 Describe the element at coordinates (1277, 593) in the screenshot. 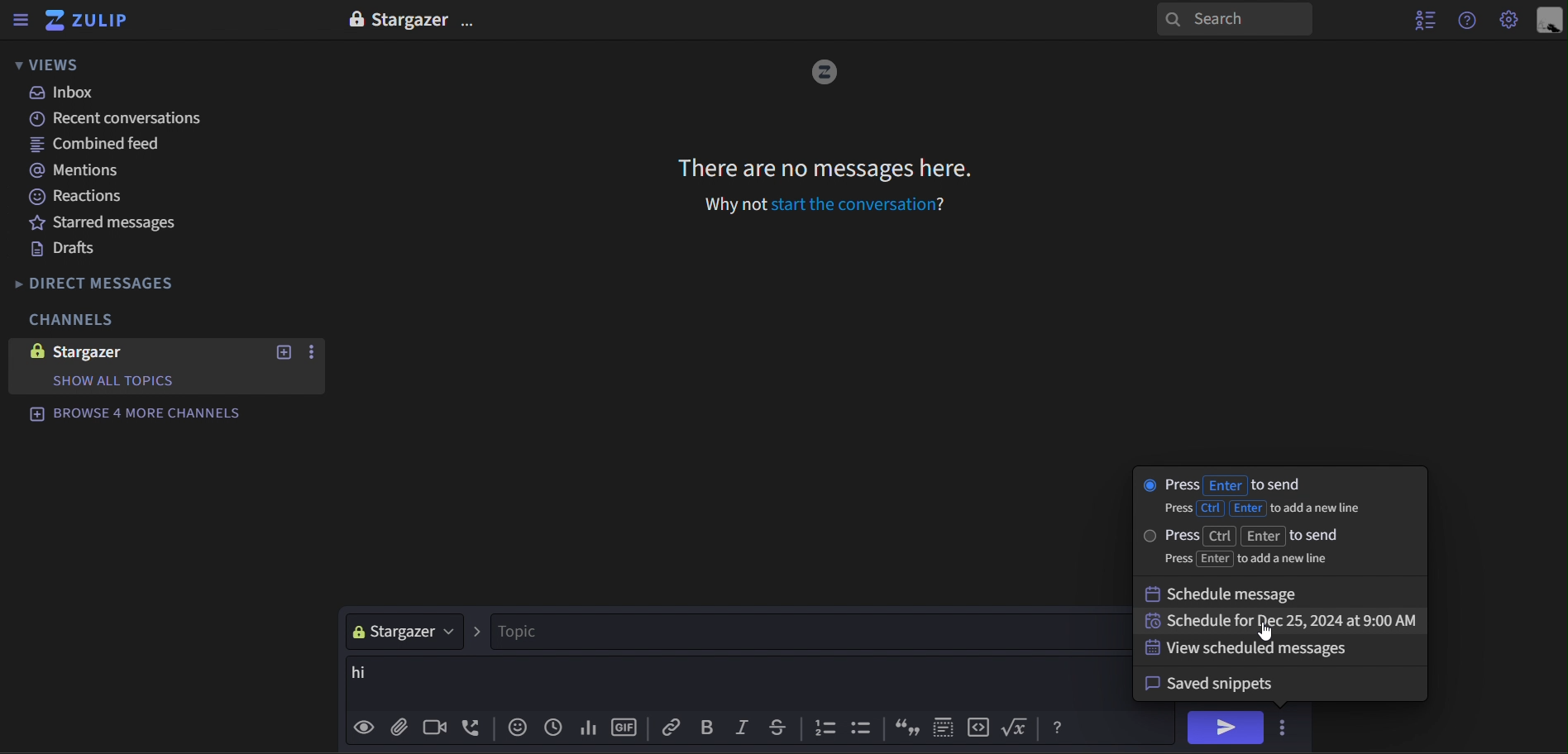

I see `schedule message` at that location.